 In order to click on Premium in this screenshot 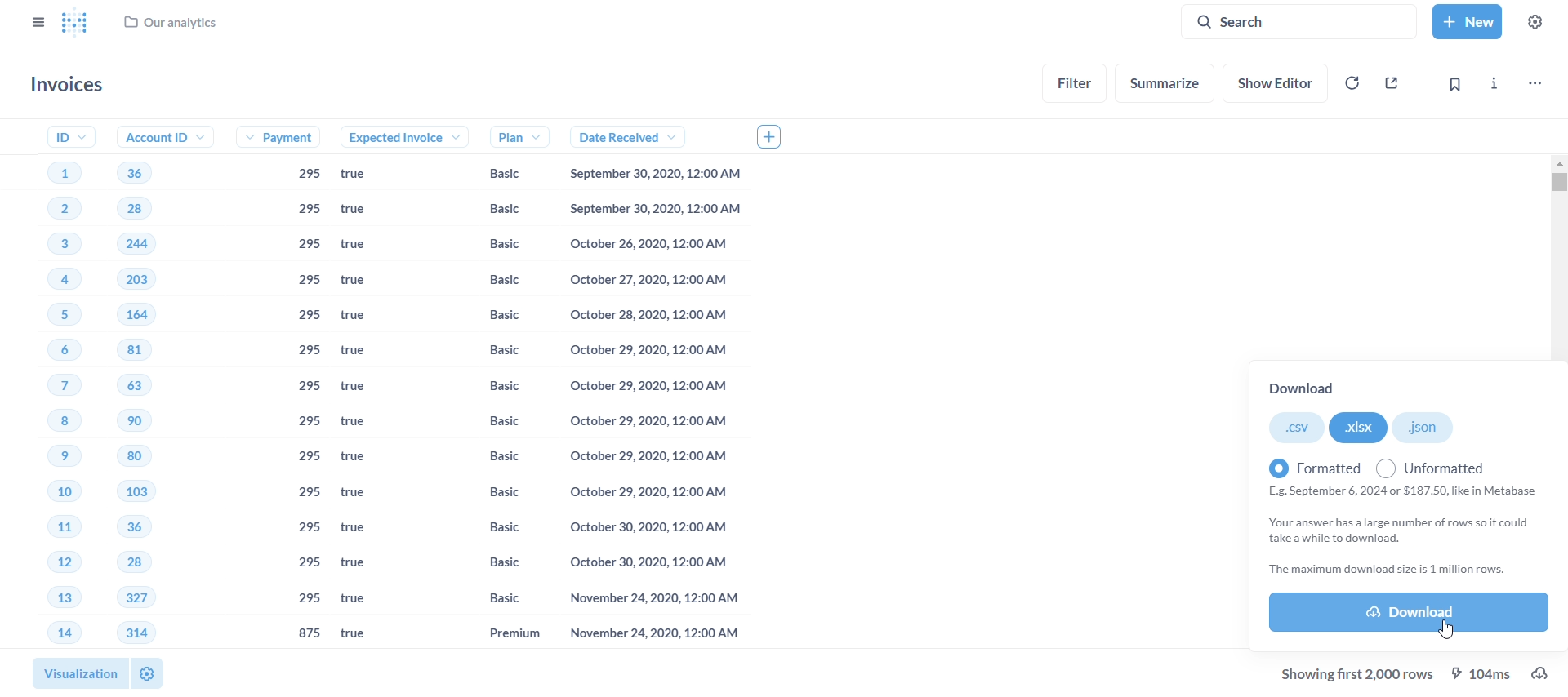, I will do `click(498, 633)`.